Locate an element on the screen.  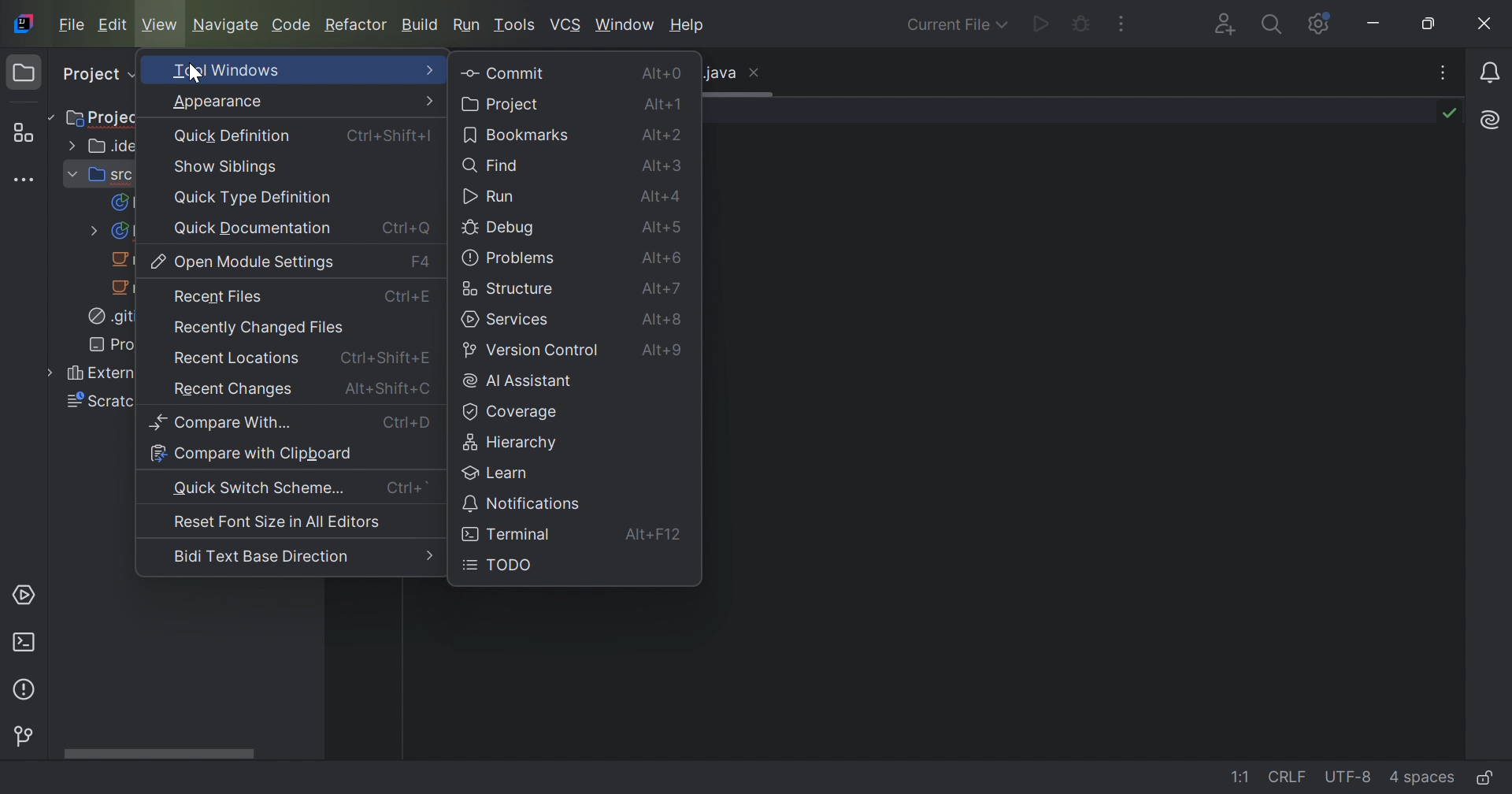
Hierarchy is located at coordinates (514, 444).